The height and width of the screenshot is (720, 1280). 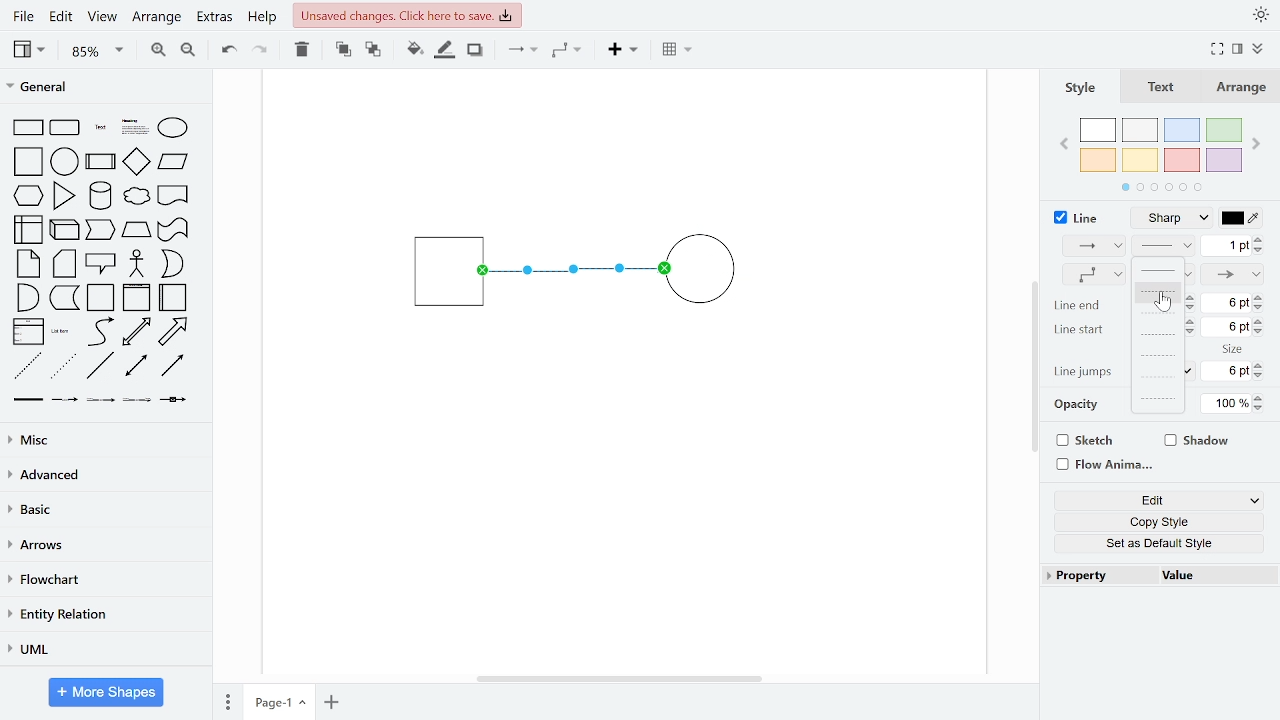 I want to click on vertical scroll bar, so click(x=1035, y=369).